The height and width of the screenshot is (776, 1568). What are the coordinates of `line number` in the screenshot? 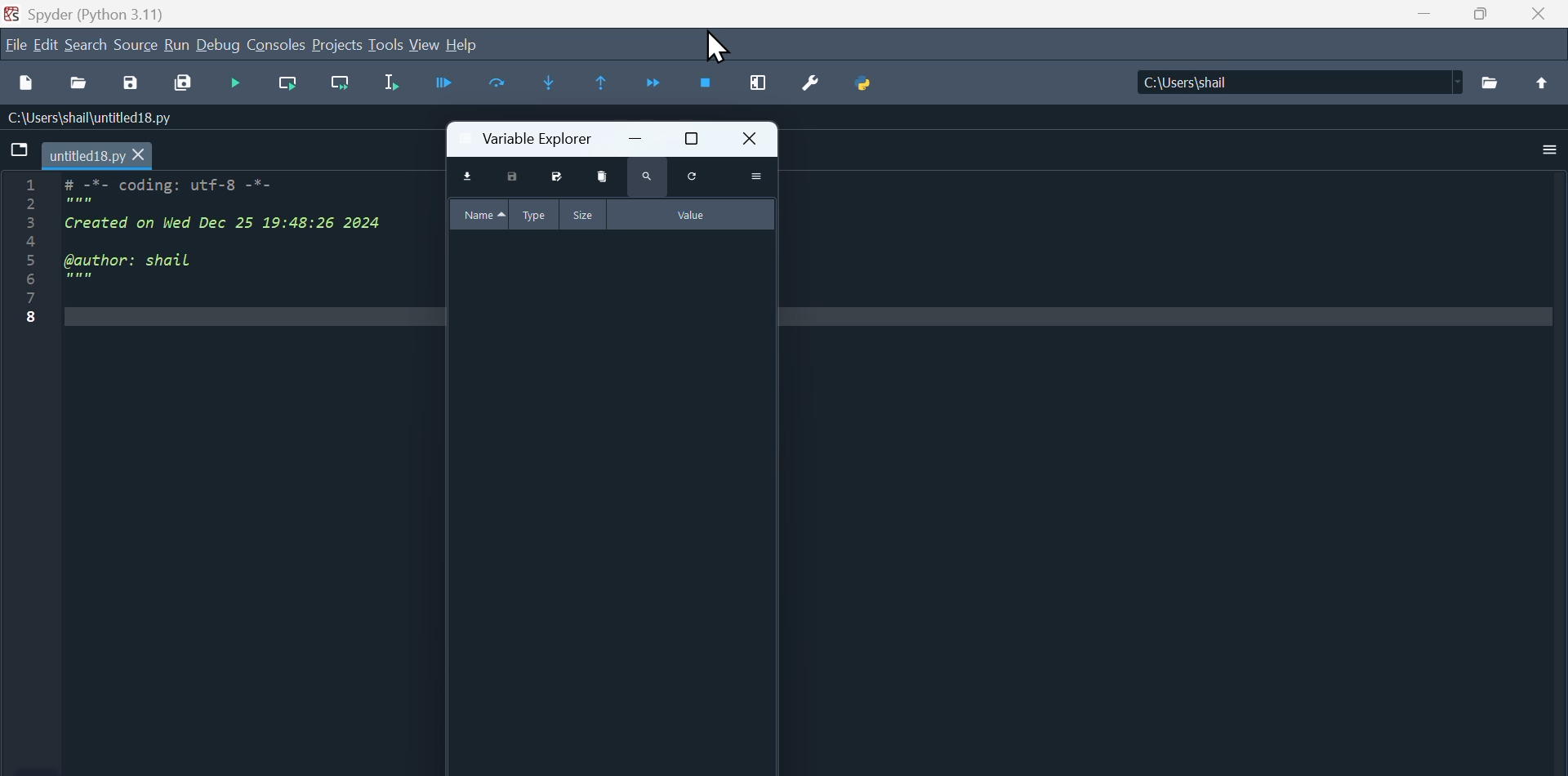 It's located at (33, 256).